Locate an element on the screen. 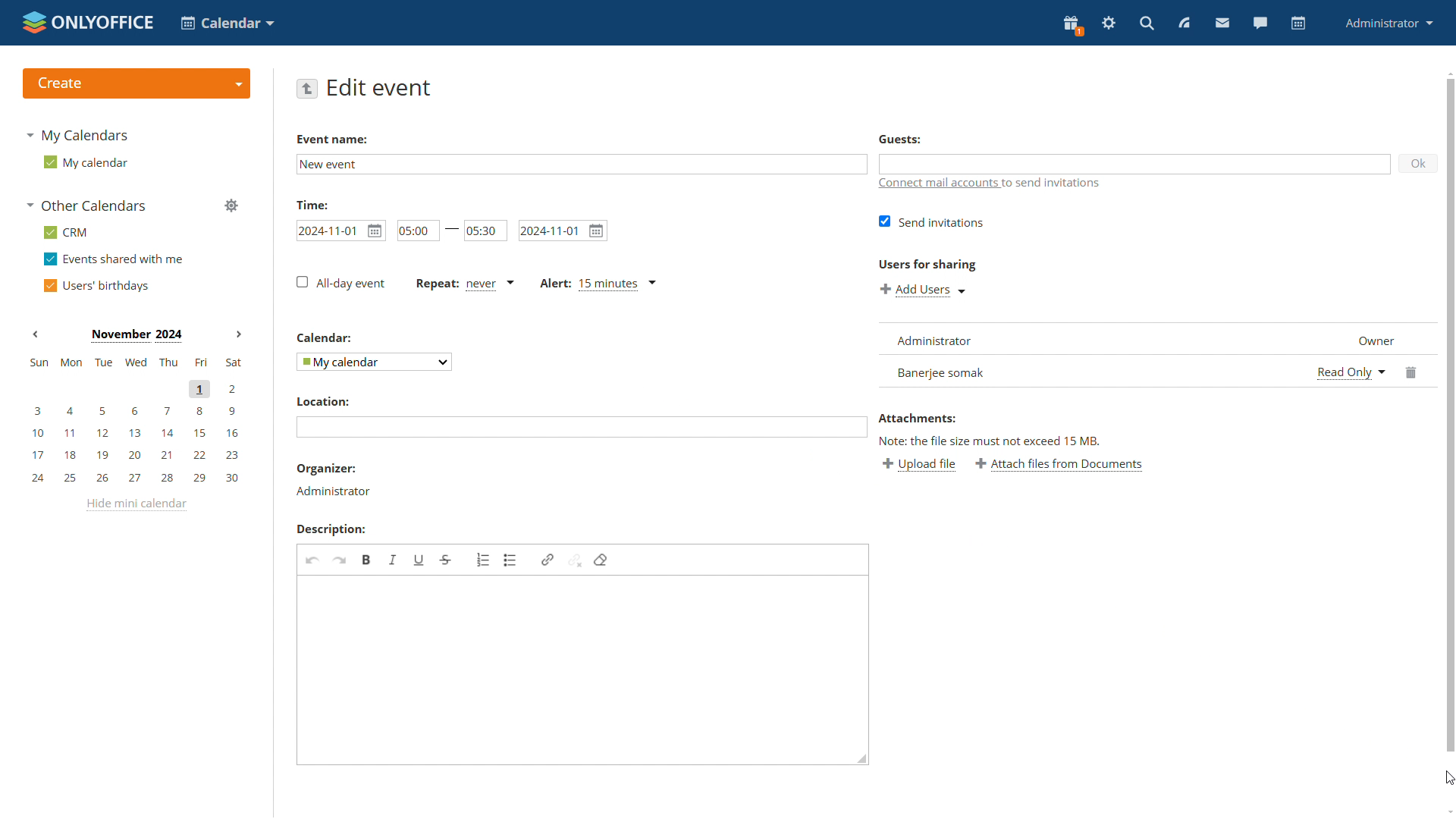 The image size is (1456, 819). hide mini calendar is located at coordinates (136, 505).